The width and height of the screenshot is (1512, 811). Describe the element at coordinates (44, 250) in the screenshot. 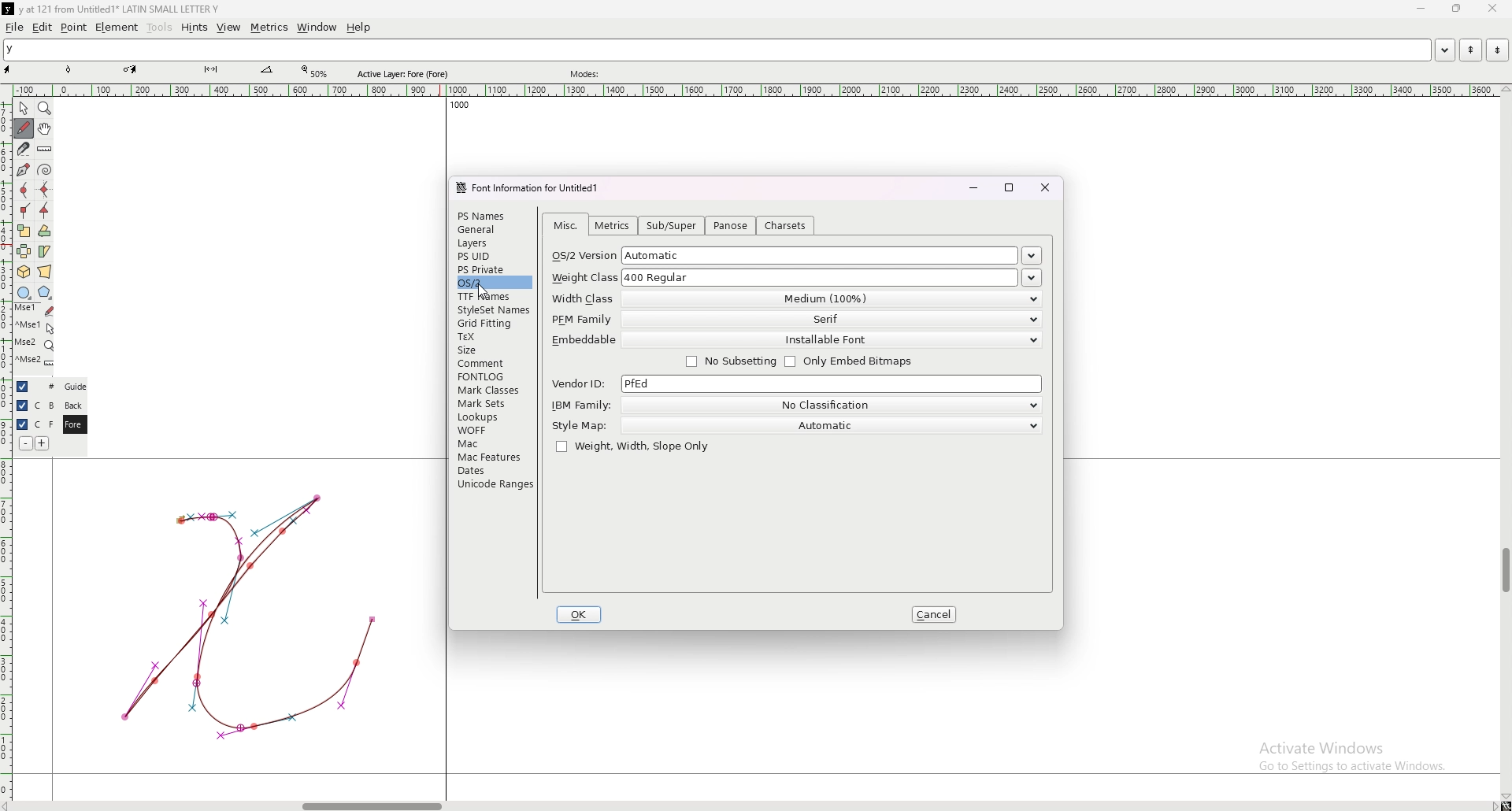

I see `skew the selection` at that location.